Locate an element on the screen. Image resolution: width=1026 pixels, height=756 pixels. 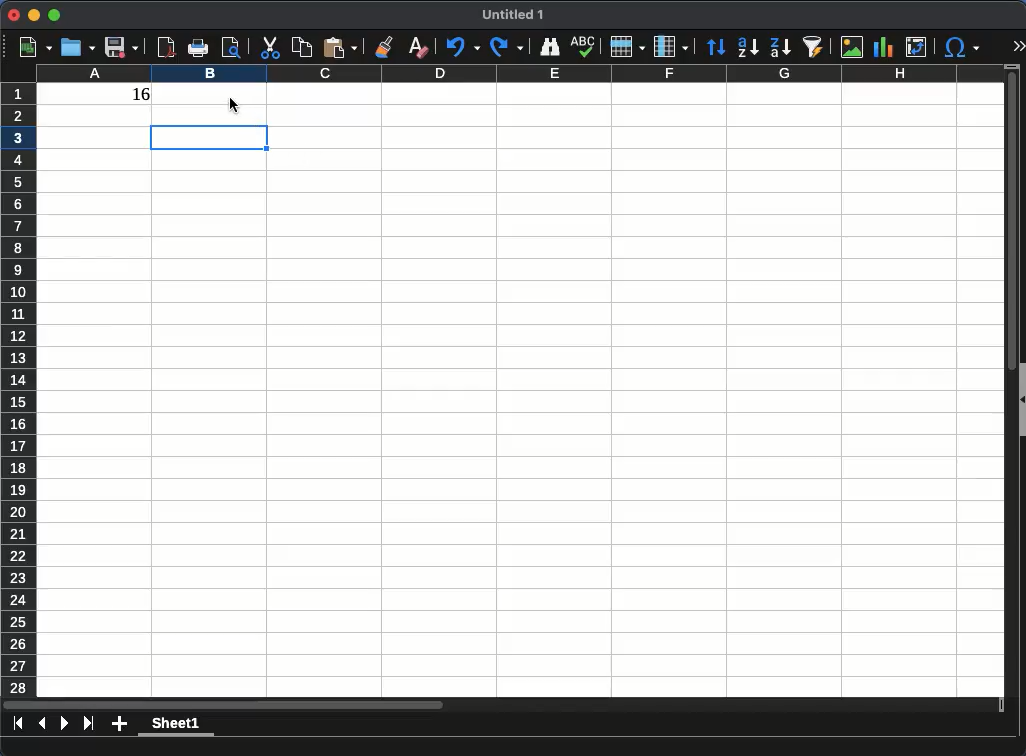
open is located at coordinates (76, 48).